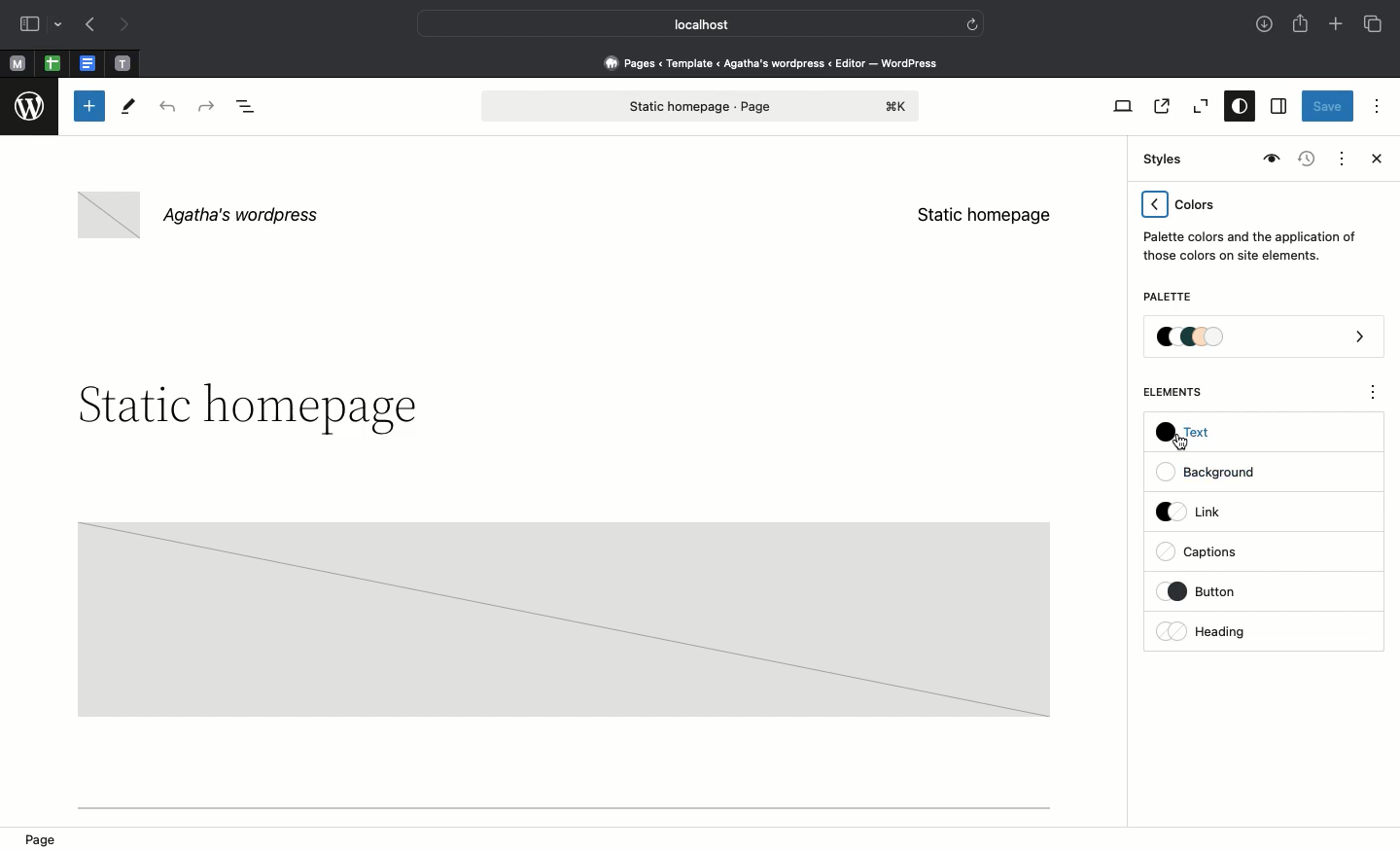  I want to click on Pinned tab, so click(89, 64).